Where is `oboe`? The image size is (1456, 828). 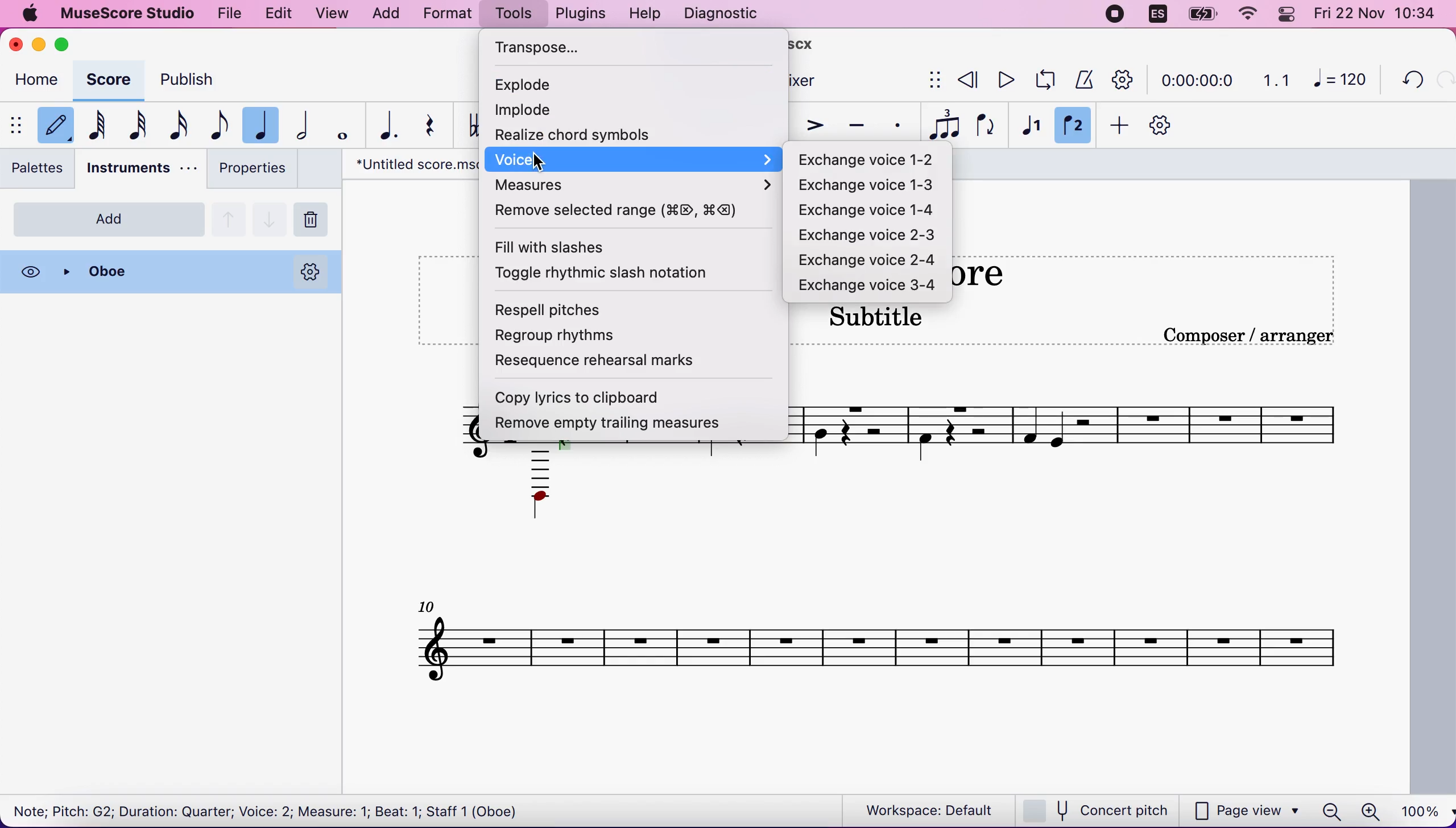 oboe is located at coordinates (165, 271).